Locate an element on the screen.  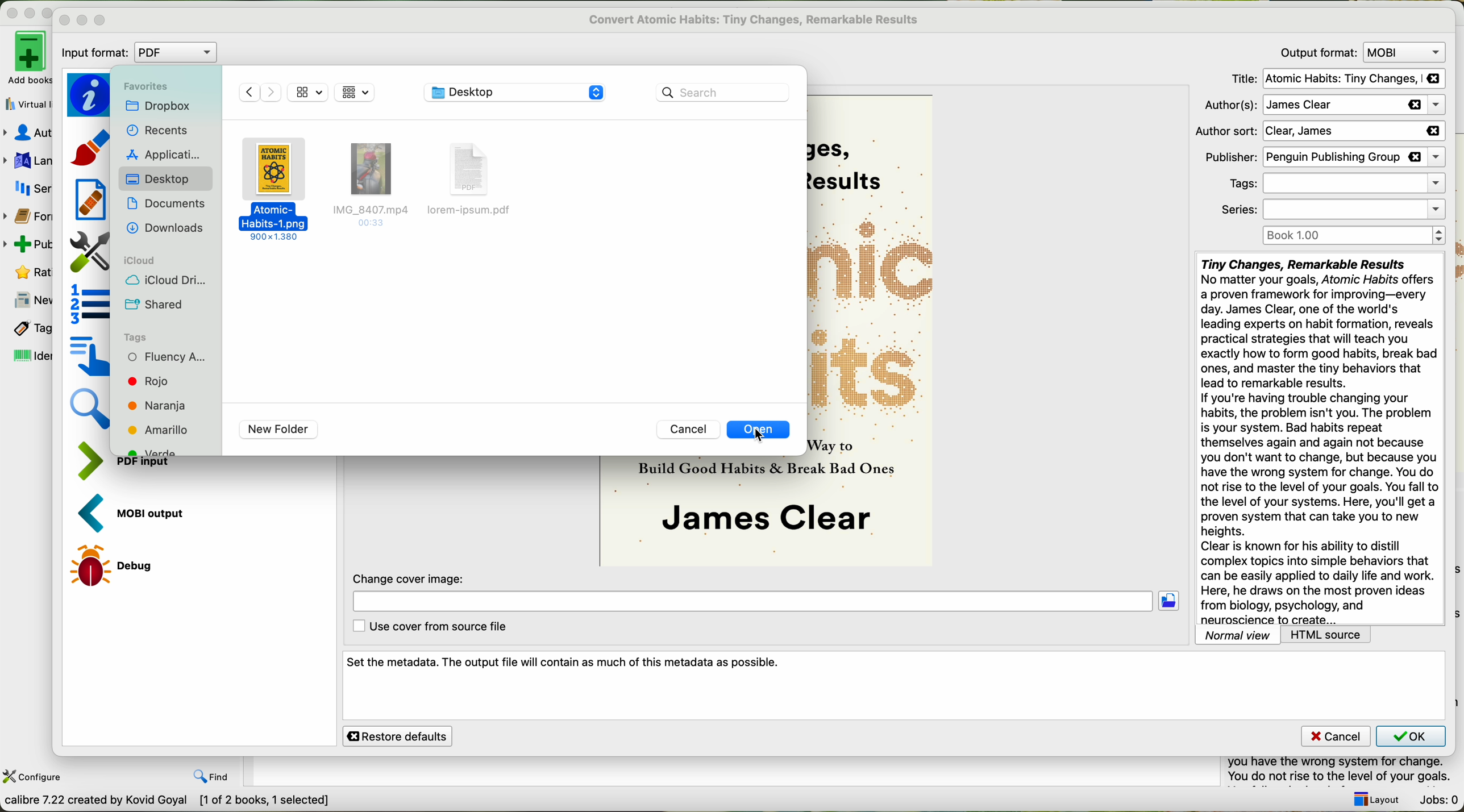
input is located at coordinates (153, 467).